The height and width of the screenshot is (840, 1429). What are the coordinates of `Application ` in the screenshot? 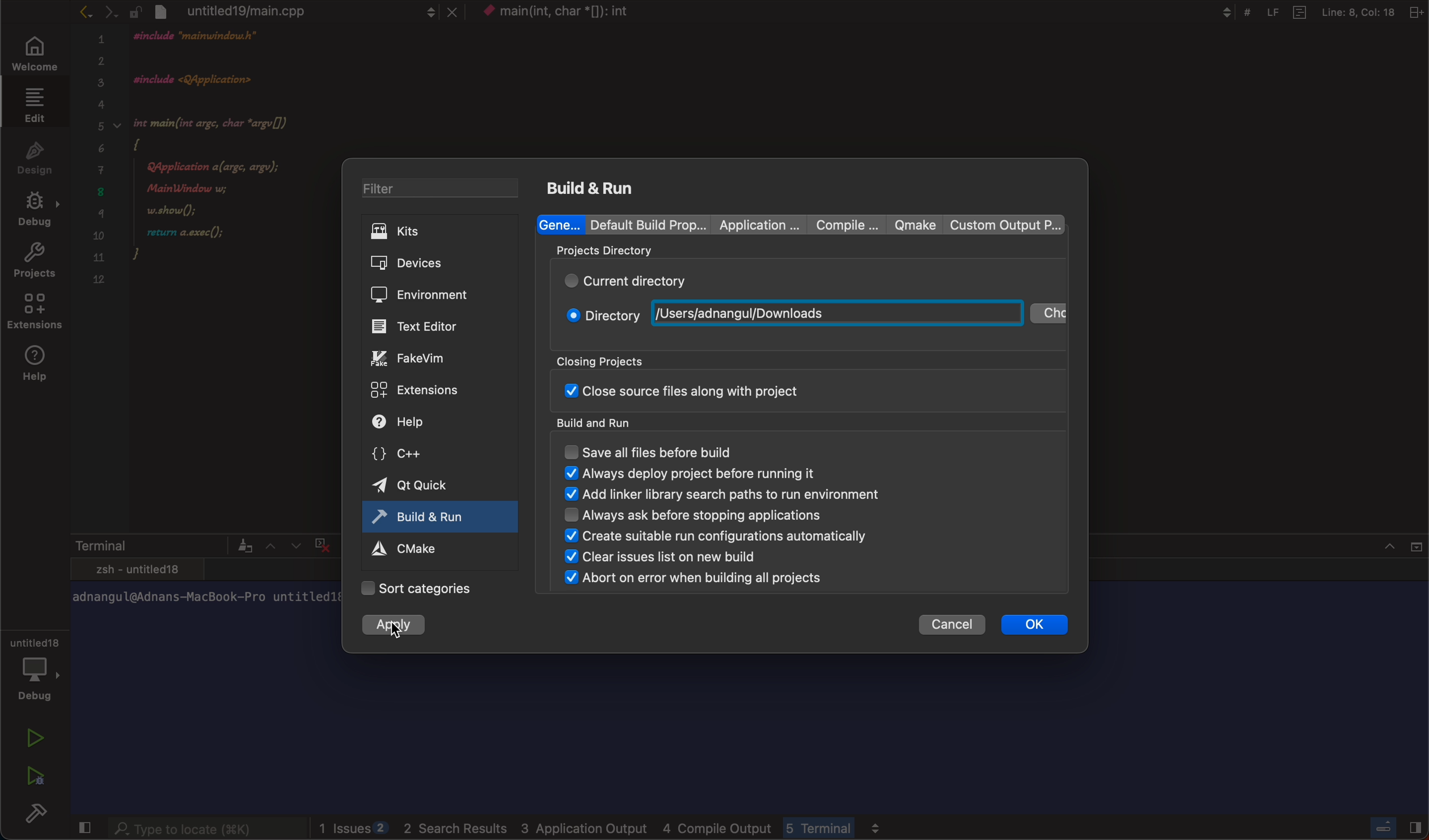 It's located at (758, 225).